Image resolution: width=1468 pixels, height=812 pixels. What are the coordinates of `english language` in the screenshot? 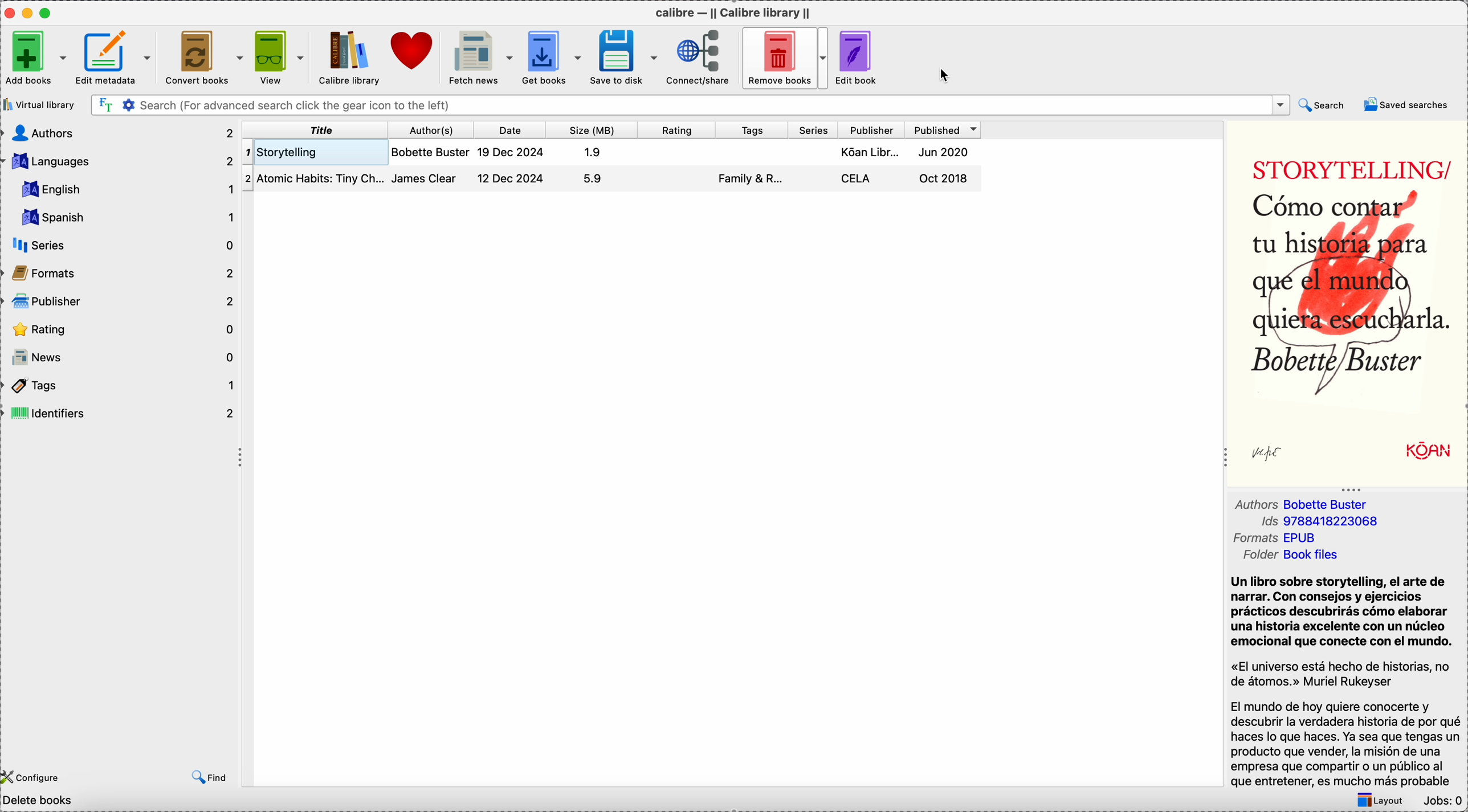 It's located at (125, 189).